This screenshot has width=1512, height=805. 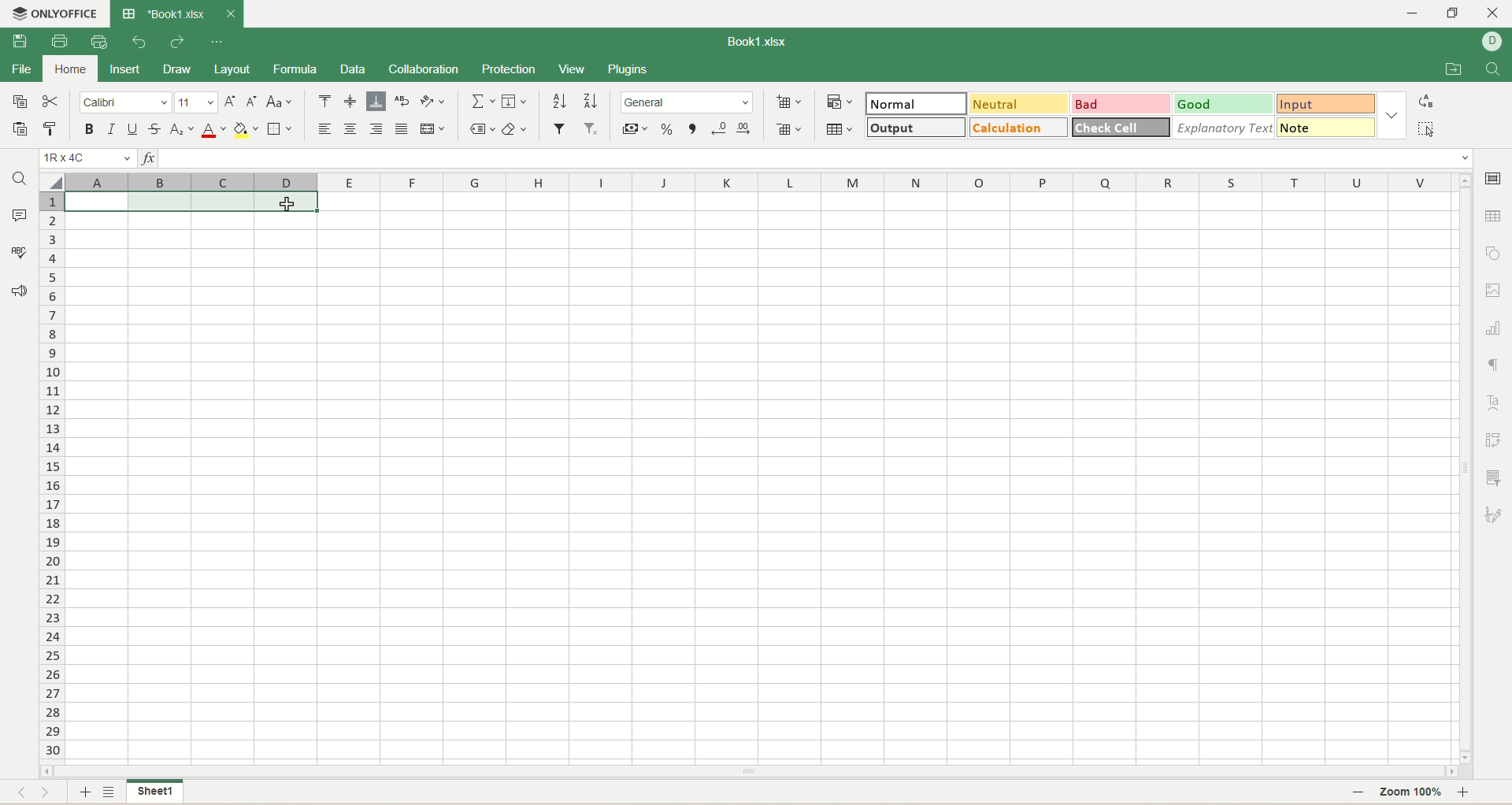 What do you see at coordinates (157, 128) in the screenshot?
I see `strikethrough` at bounding box center [157, 128].